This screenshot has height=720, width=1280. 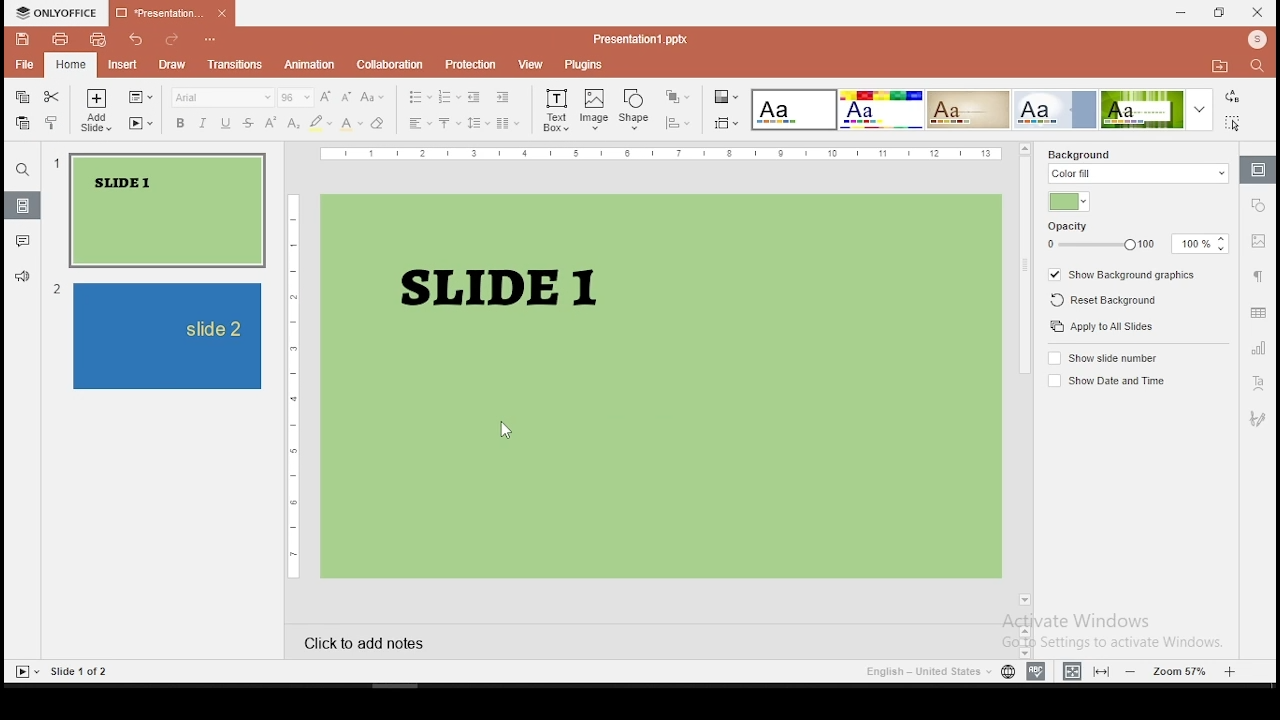 I want to click on opacity, so click(x=1069, y=227).